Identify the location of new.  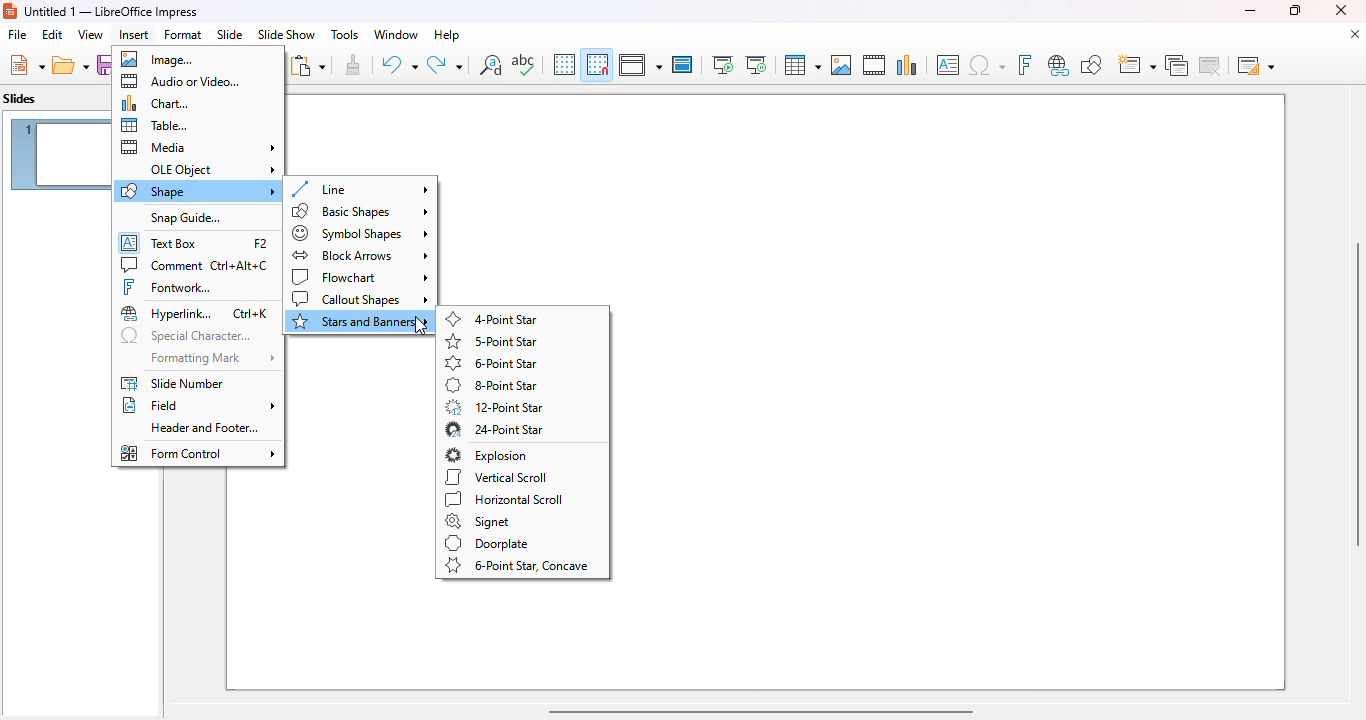
(26, 65).